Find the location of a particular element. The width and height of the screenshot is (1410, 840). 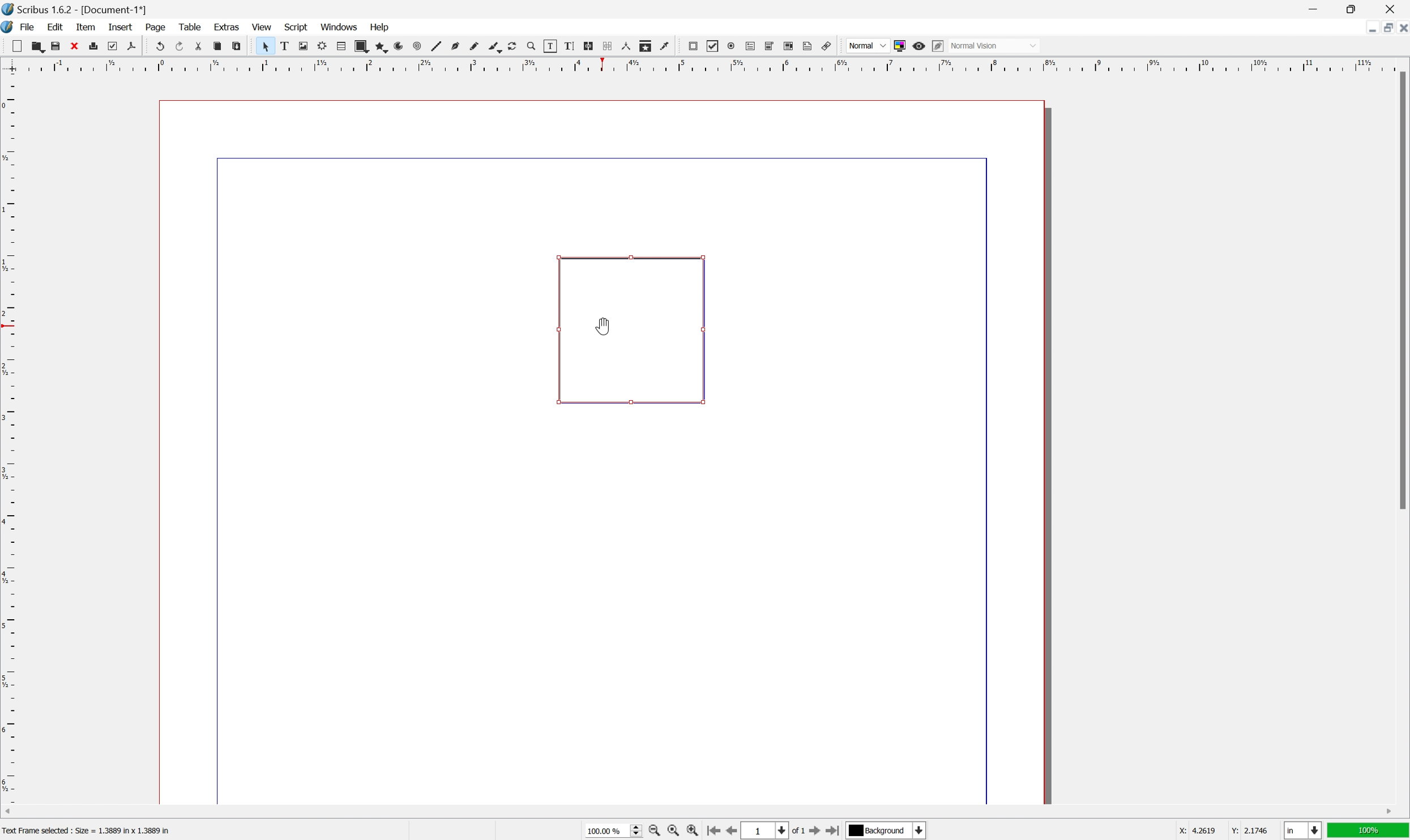

new is located at coordinates (16, 46).